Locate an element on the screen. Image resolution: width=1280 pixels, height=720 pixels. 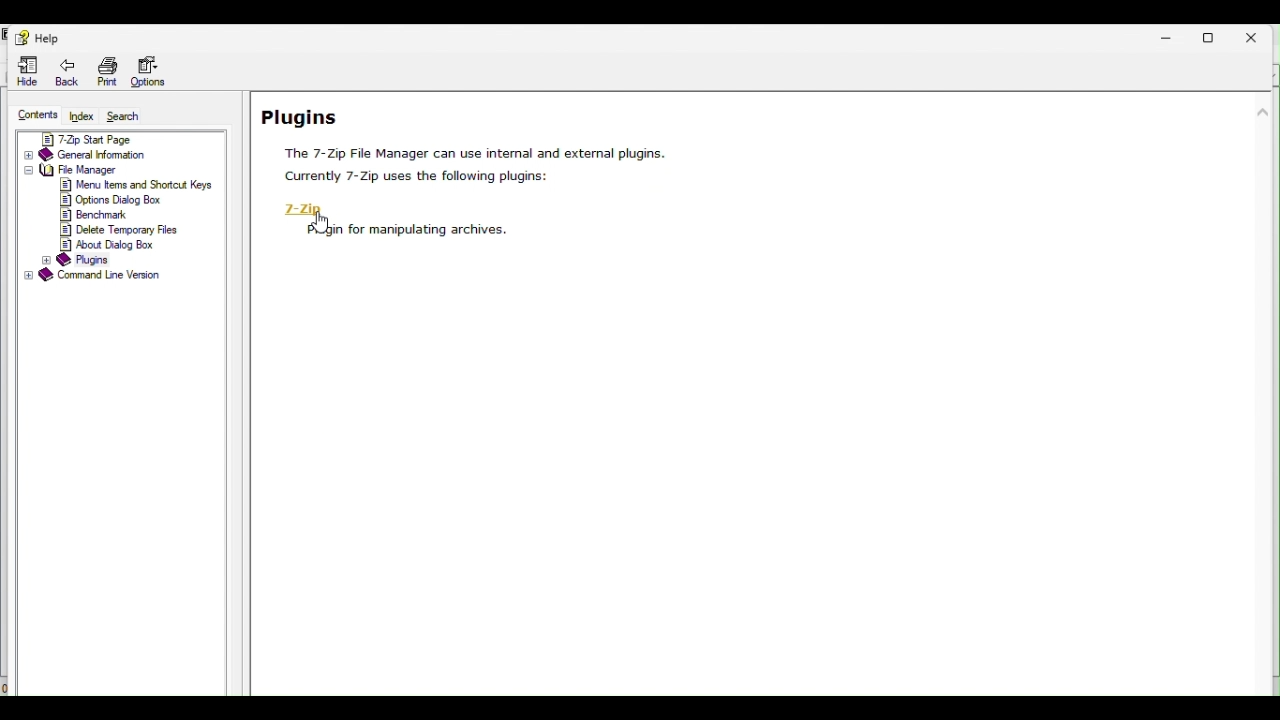
about is located at coordinates (111, 245).